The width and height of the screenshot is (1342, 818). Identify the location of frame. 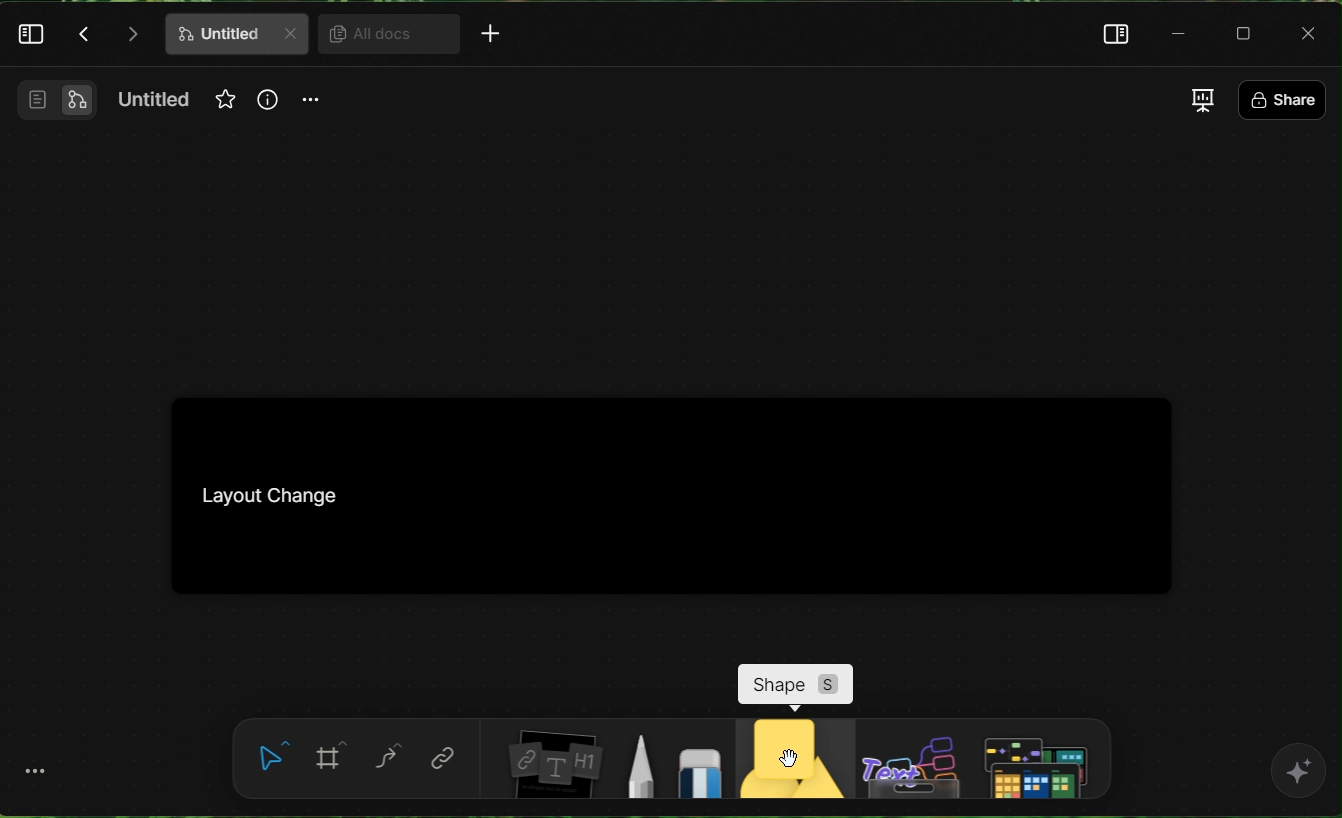
(332, 755).